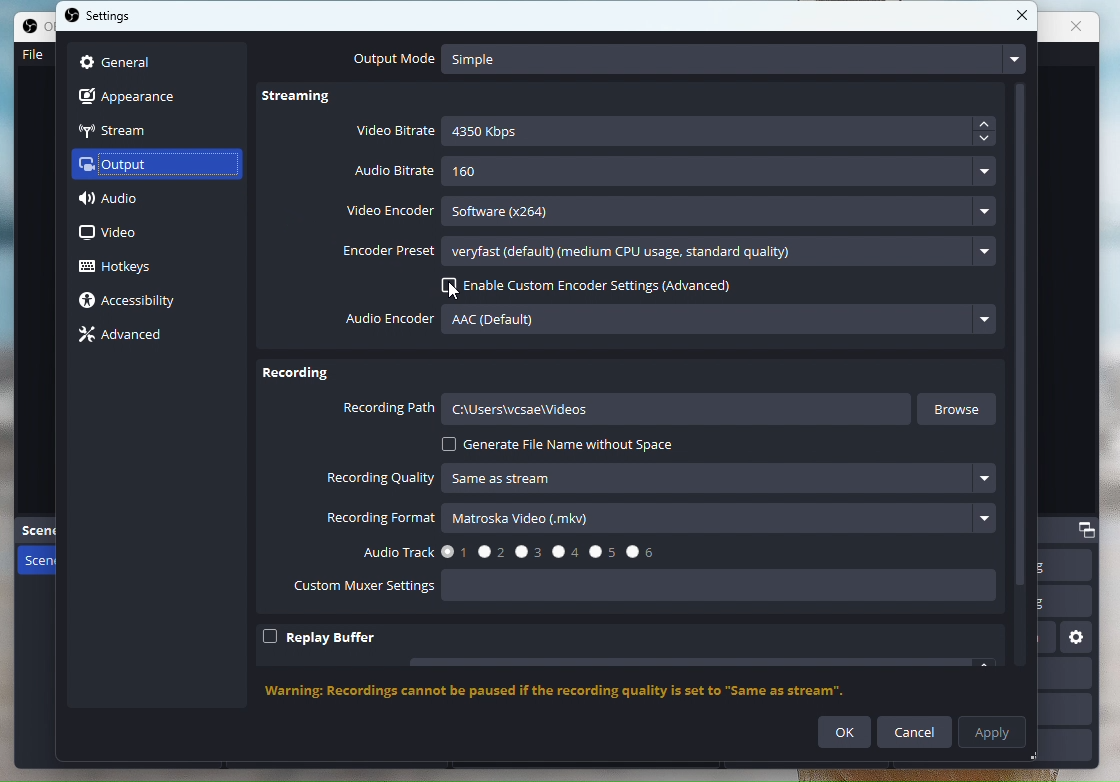 The width and height of the screenshot is (1120, 782). I want to click on Audio Encoder, so click(673, 321).